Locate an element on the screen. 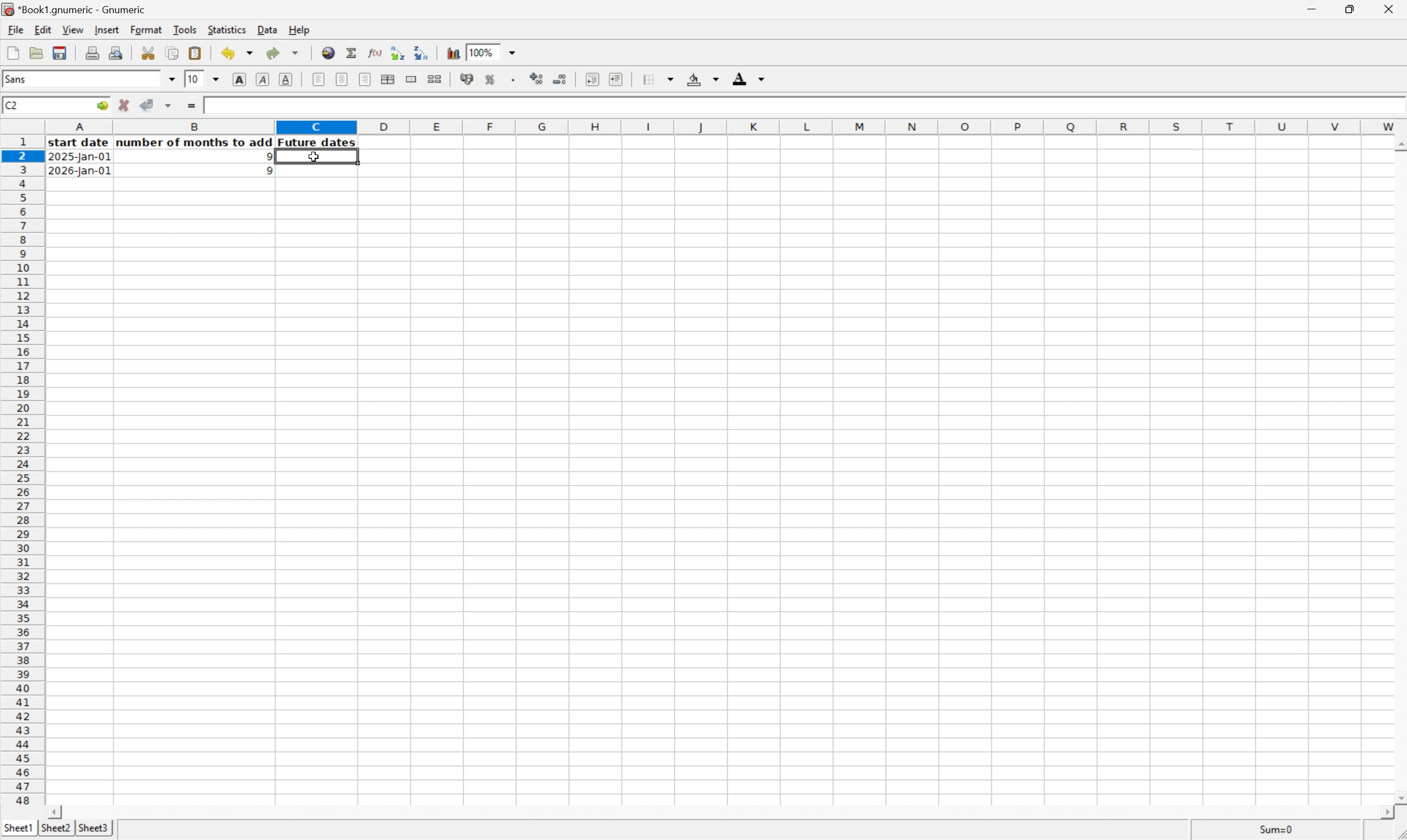 The image size is (1407, 840). Edit function in current cell is located at coordinates (372, 52).